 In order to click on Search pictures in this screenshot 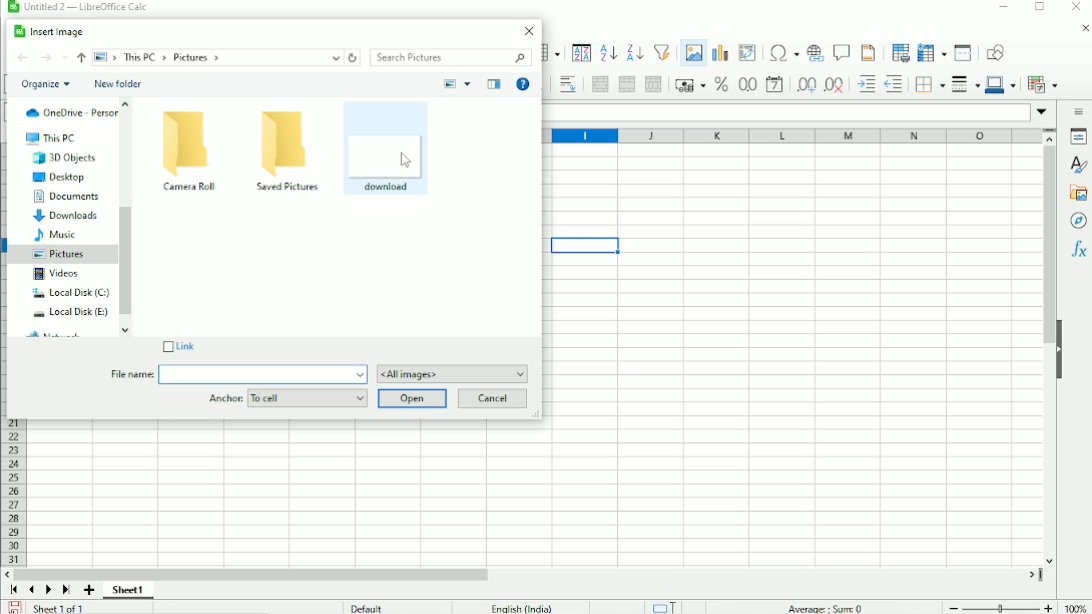, I will do `click(452, 58)`.